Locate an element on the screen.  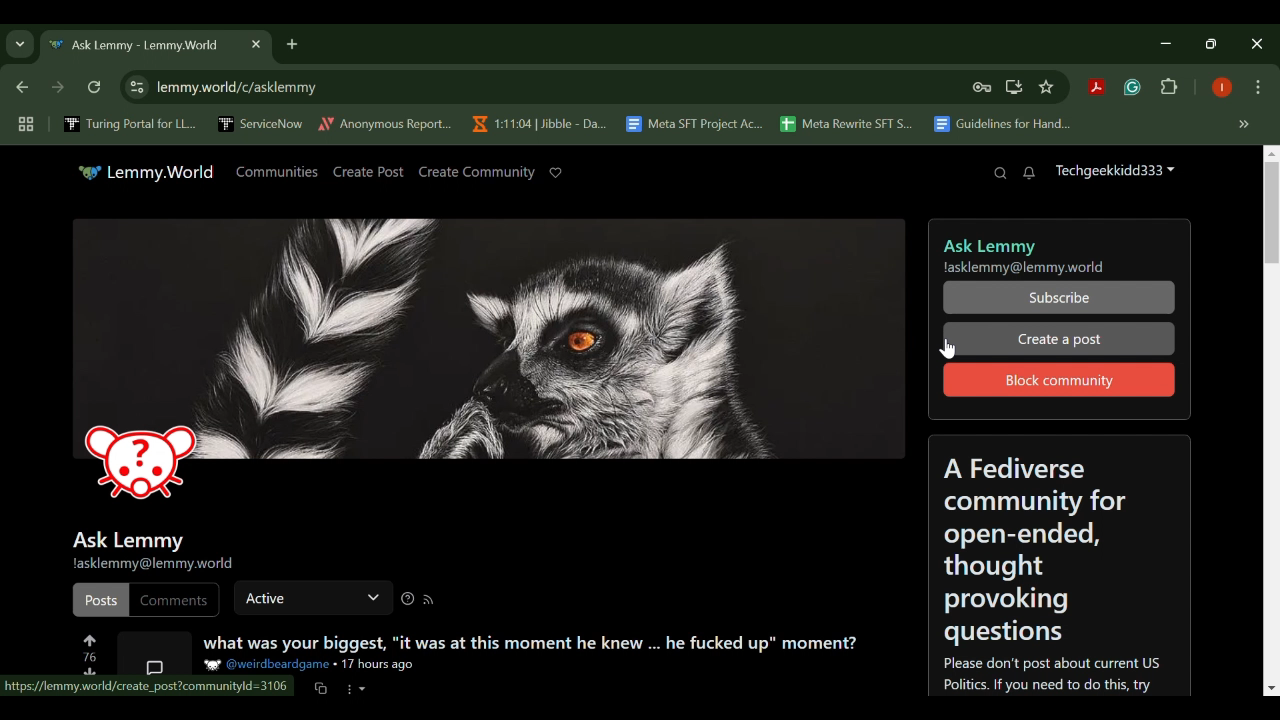
lemmy.world/c/asklemmy is located at coordinates (220, 87).